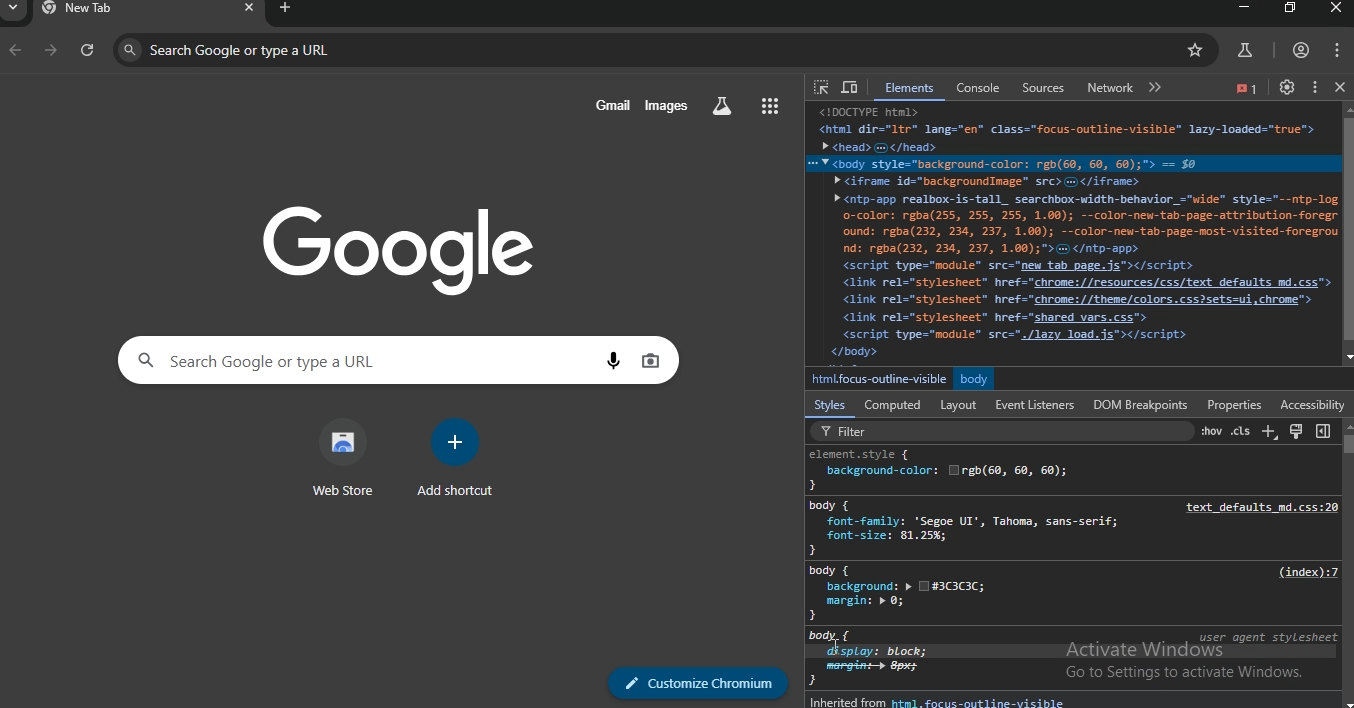 The width and height of the screenshot is (1354, 708). I want to click on minimize, so click(1236, 8).